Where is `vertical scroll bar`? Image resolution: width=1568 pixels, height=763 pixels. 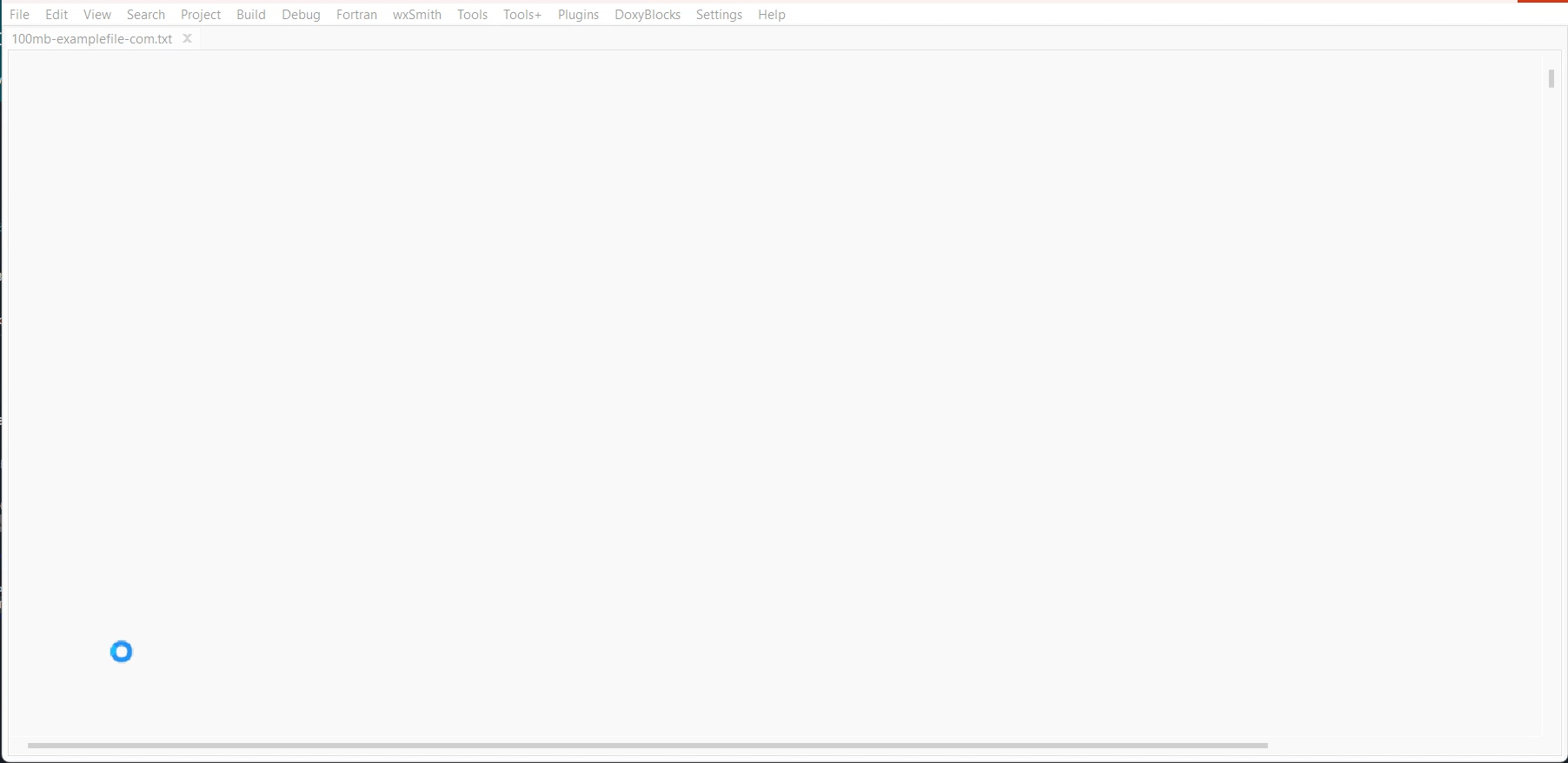
vertical scroll bar is located at coordinates (1546, 384).